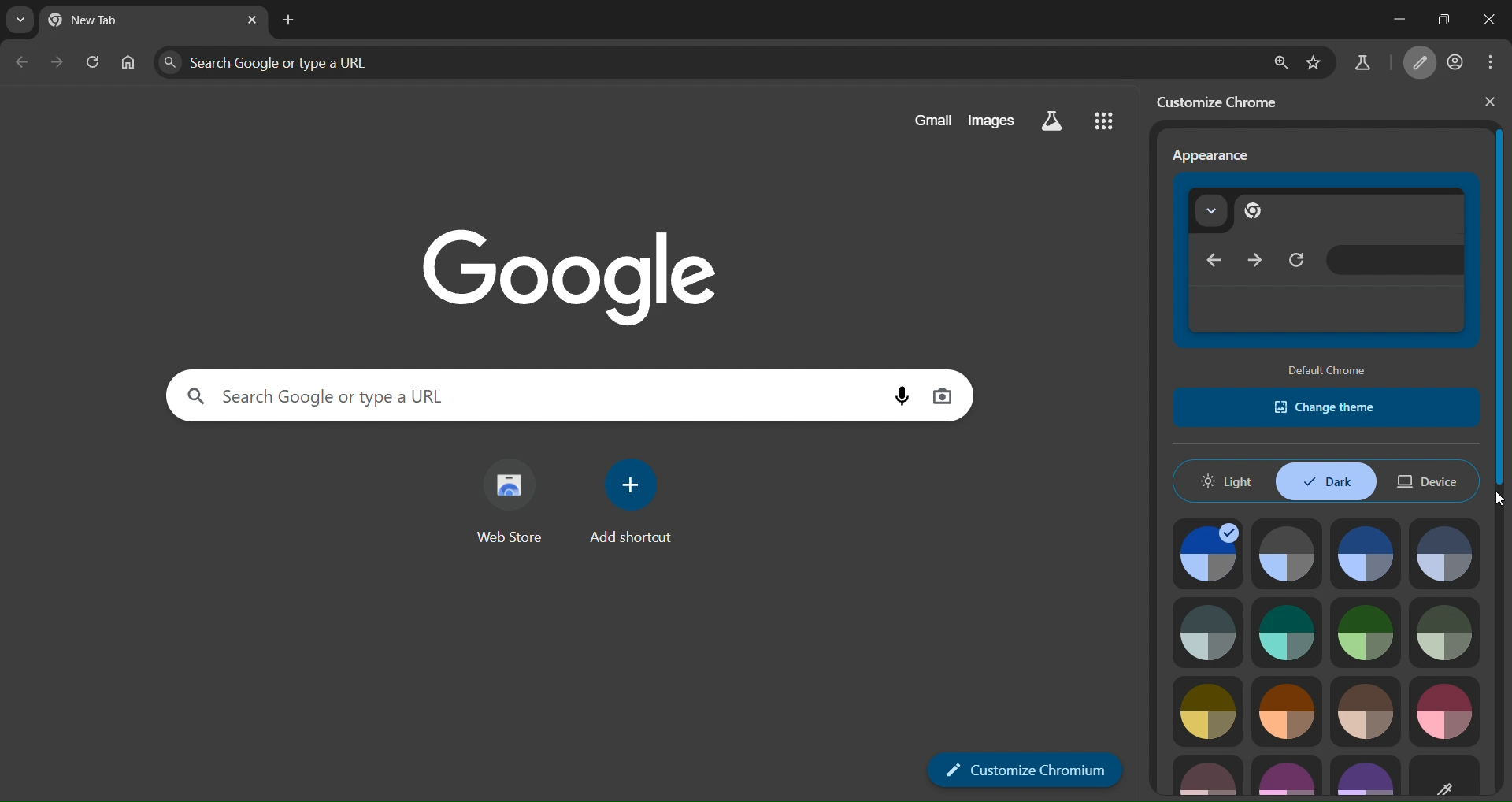  Describe the element at coordinates (1104, 121) in the screenshot. I see `google apps` at that location.